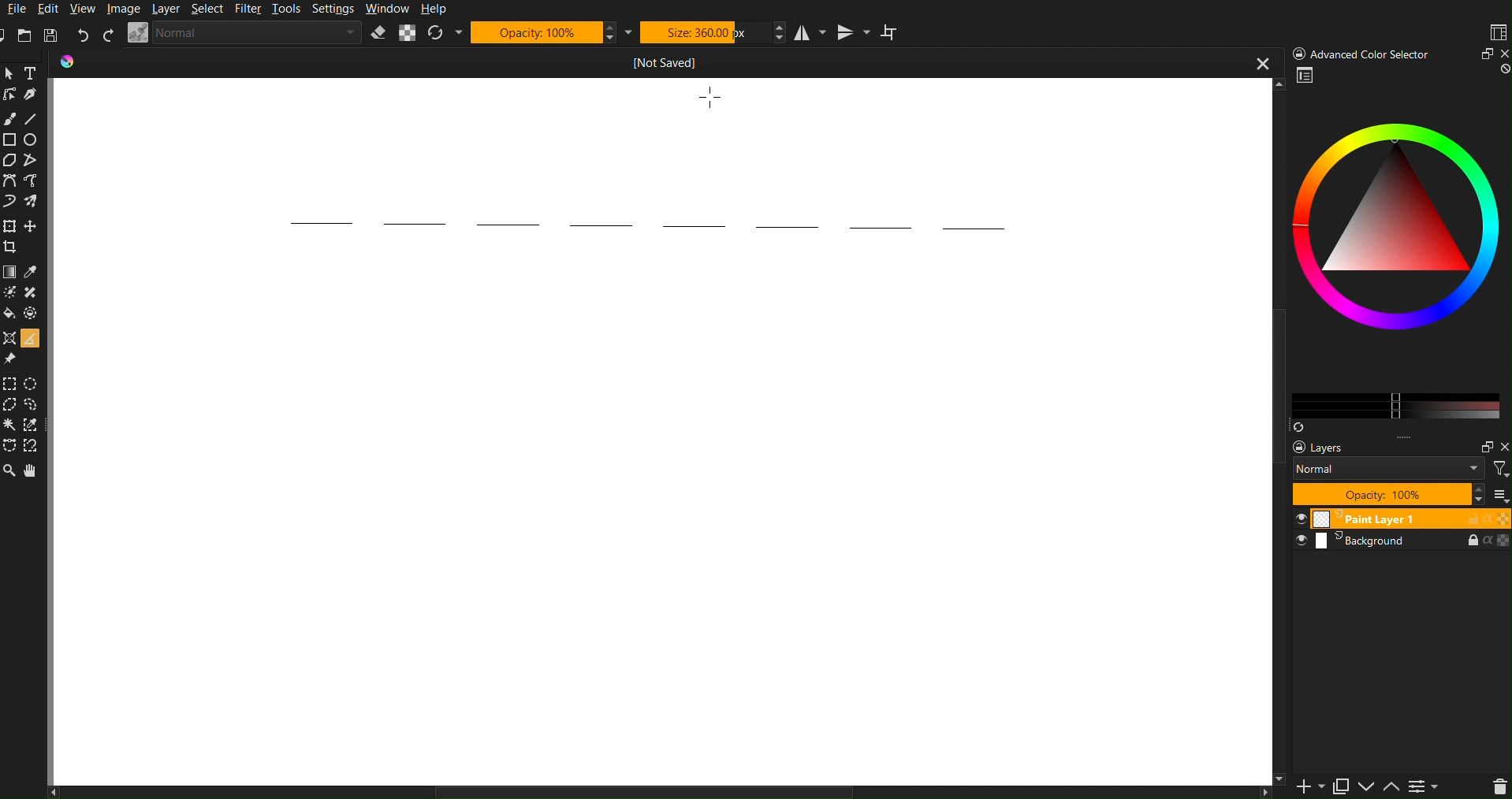  I want to click on Horizontal Mirror, so click(806, 32).